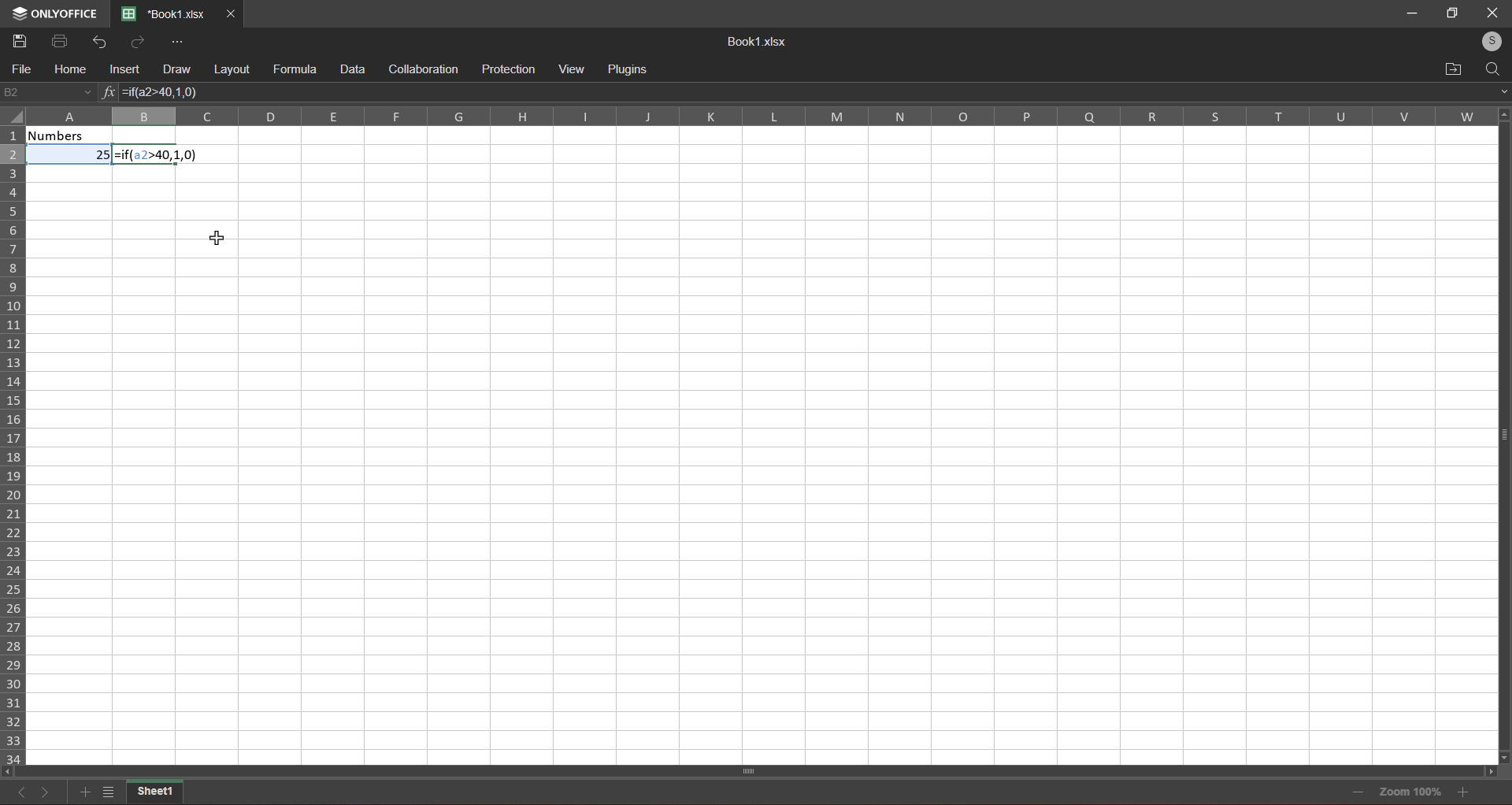 The width and height of the screenshot is (1512, 805). Describe the element at coordinates (350, 69) in the screenshot. I see `data` at that location.